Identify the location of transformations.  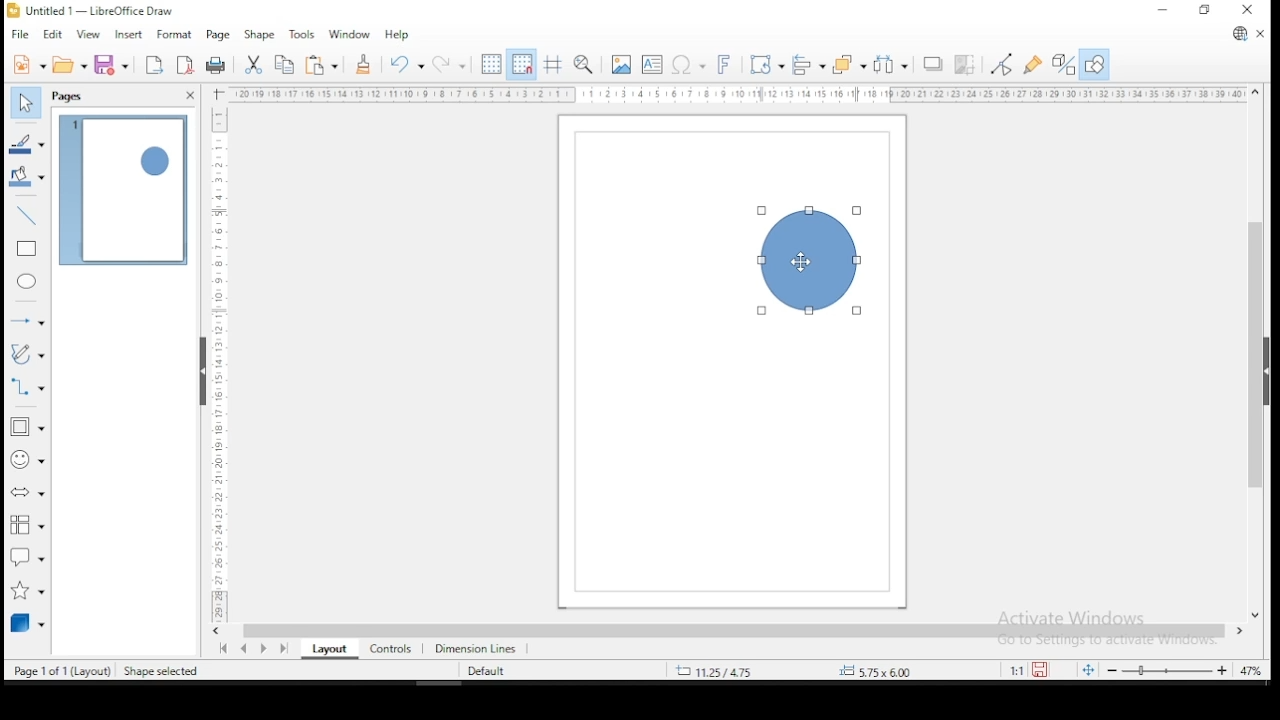
(764, 62).